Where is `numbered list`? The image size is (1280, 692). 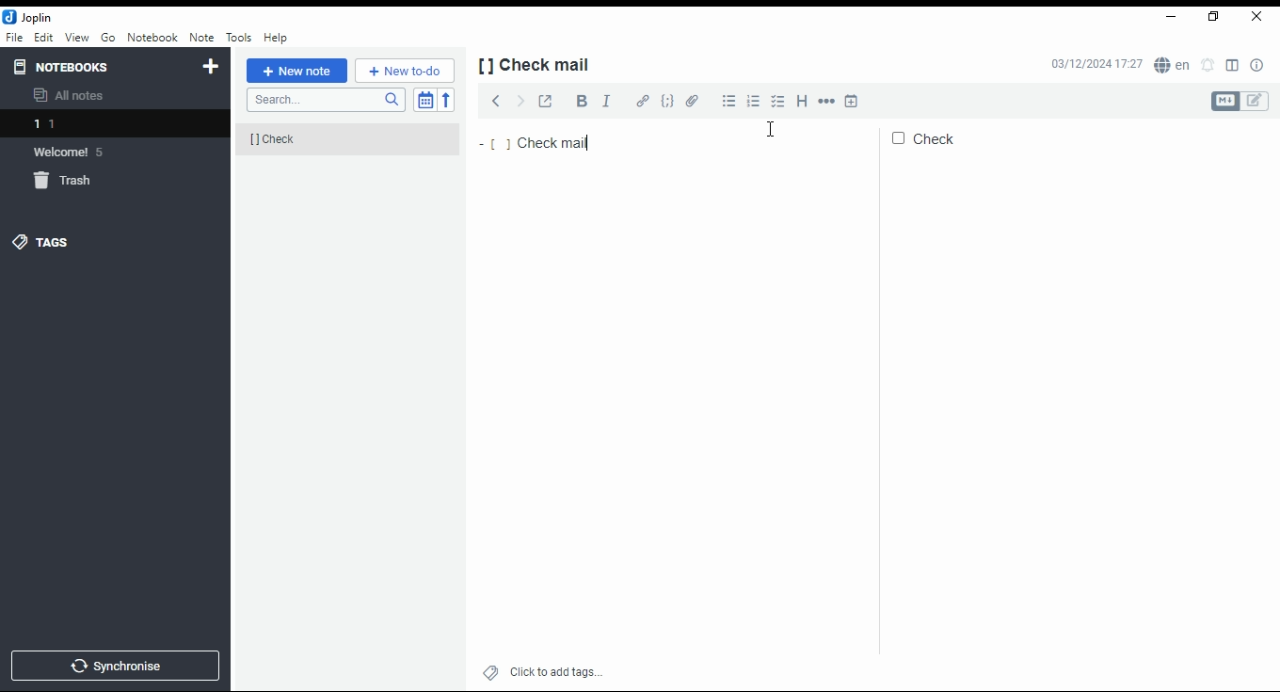
numbered list is located at coordinates (752, 102).